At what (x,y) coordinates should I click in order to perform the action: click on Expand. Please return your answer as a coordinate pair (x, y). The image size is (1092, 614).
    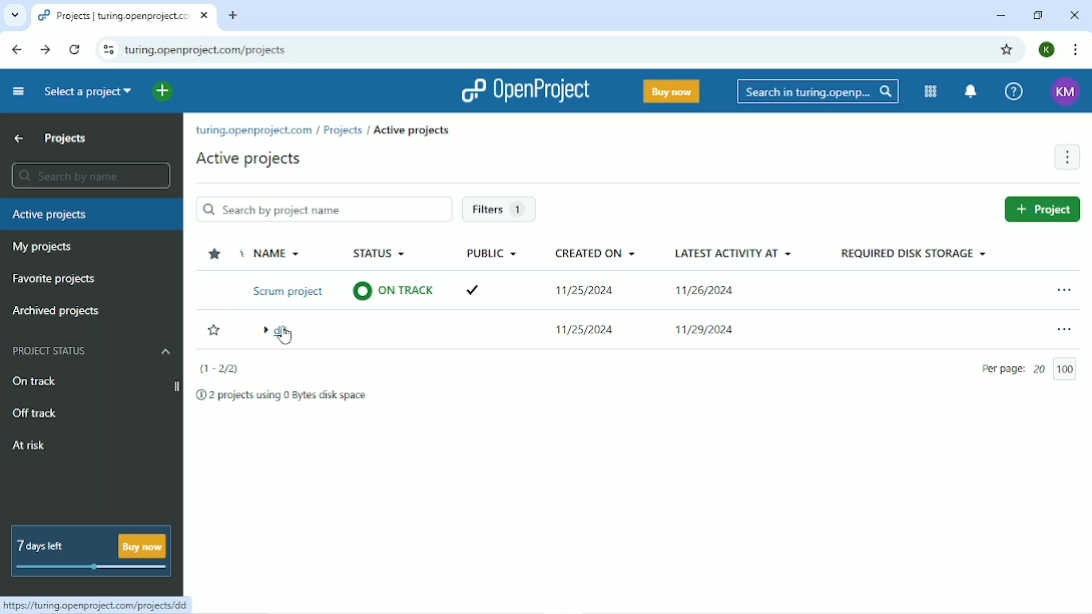
    Looking at the image, I should click on (176, 384).